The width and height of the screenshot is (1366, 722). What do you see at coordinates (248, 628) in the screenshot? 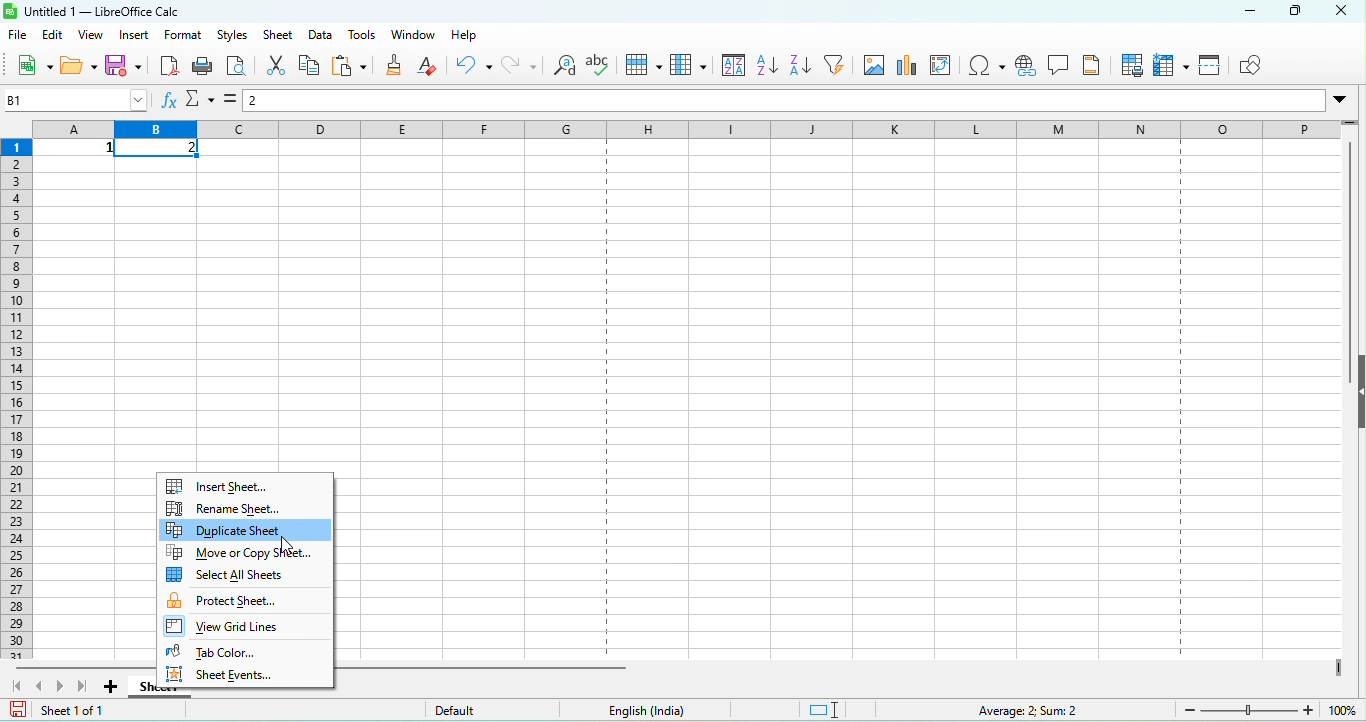
I see `view grid lines` at bounding box center [248, 628].